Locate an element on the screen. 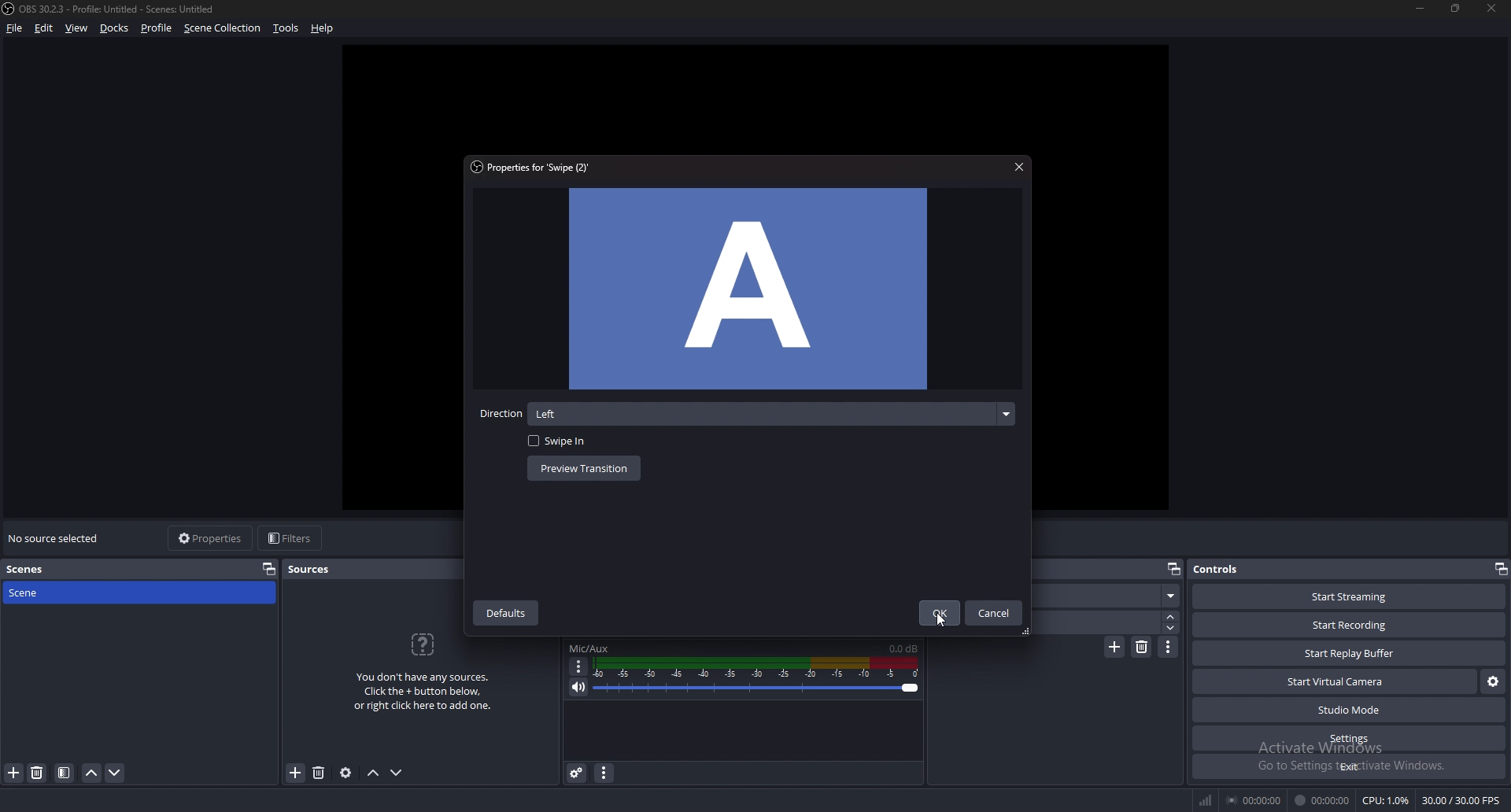  remove transition is located at coordinates (1143, 646).